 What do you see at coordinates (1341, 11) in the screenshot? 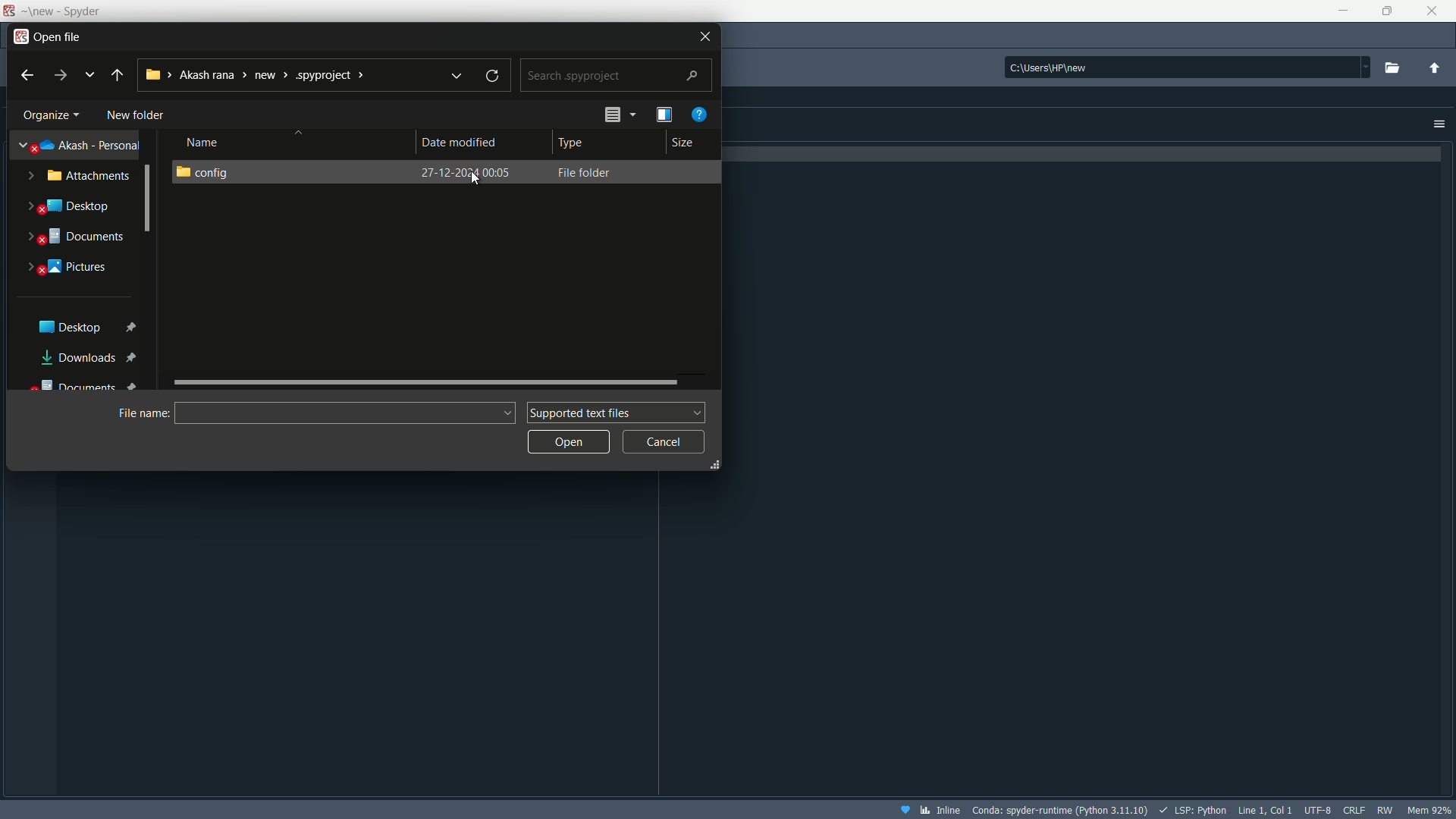
I see `minimize` at bounding box center [1341, 11].